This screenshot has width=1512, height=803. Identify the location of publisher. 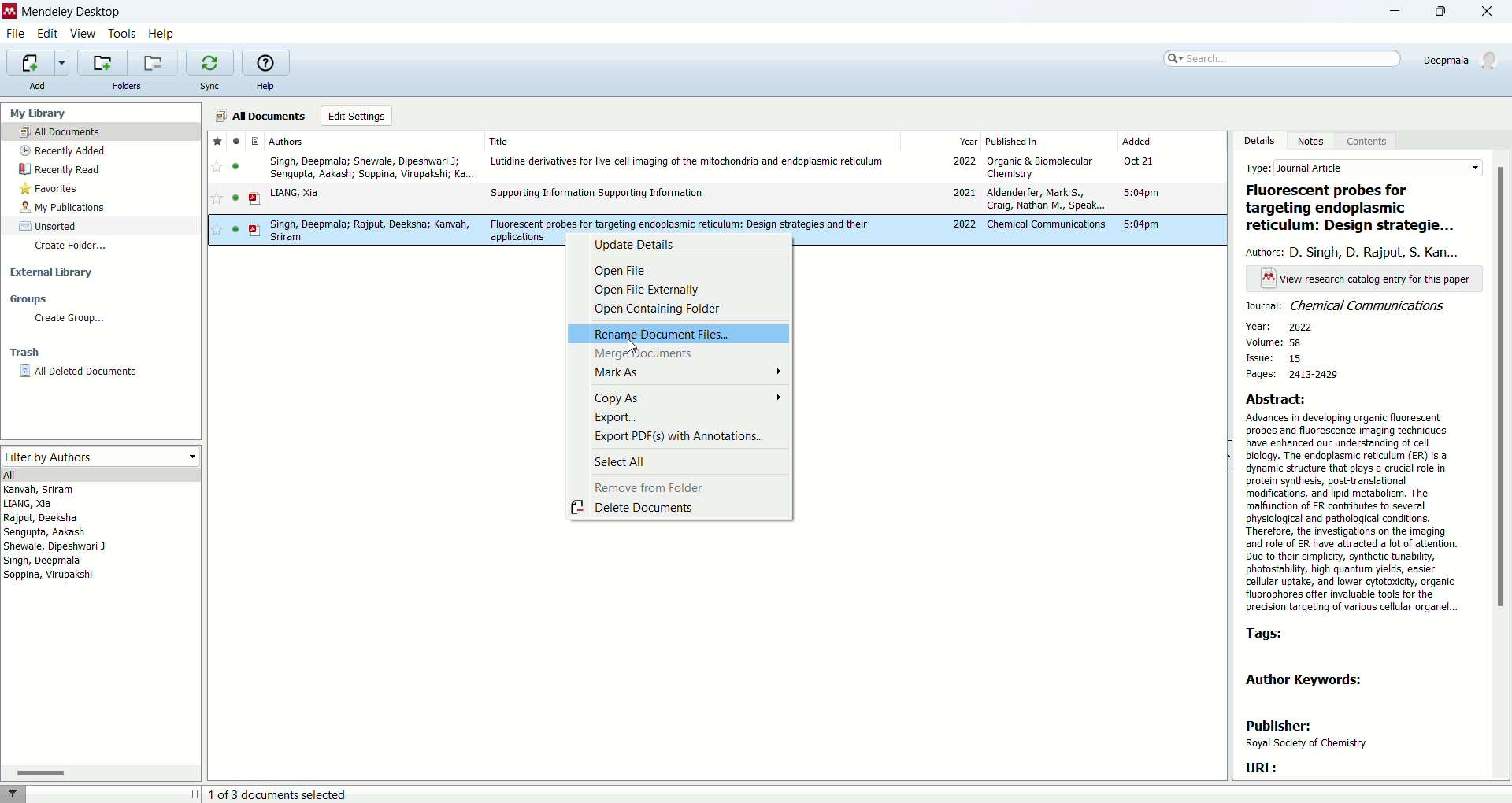
(1306, 735).